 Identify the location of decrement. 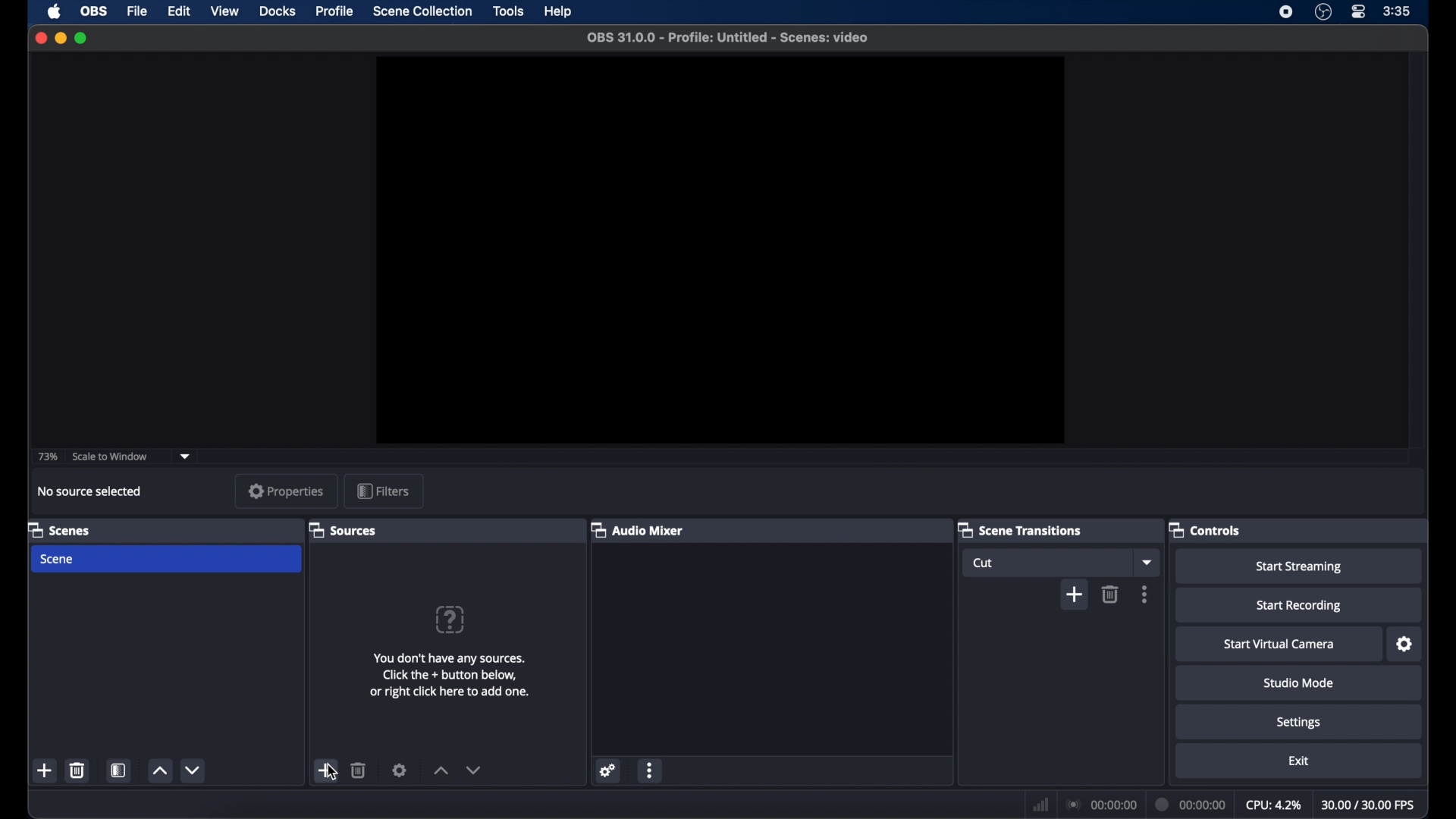
(193, 770).